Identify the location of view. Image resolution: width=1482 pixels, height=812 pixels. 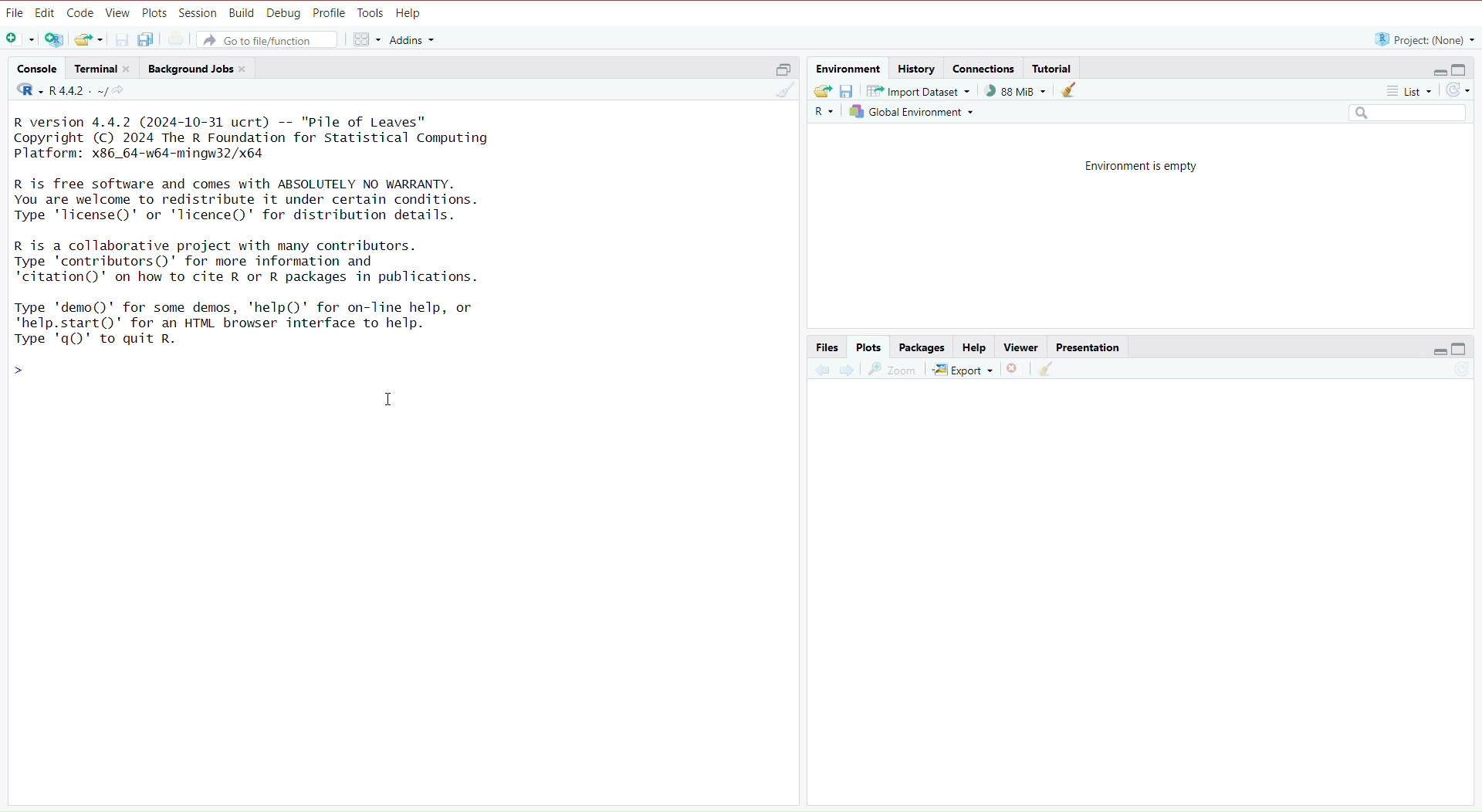
(1020, 347).